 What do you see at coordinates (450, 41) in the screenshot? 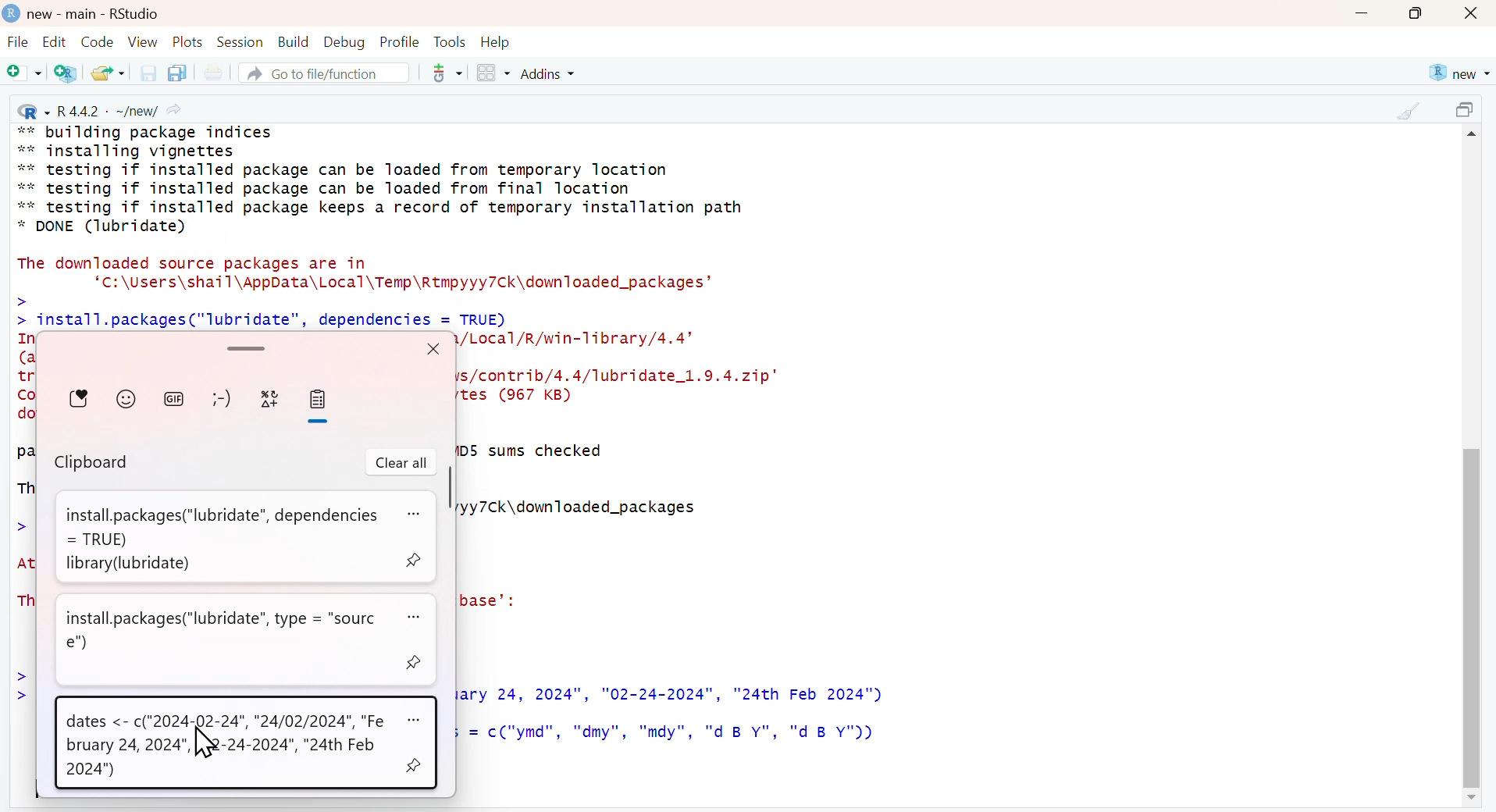
I see `Tools` at bounding box center [450, 41].